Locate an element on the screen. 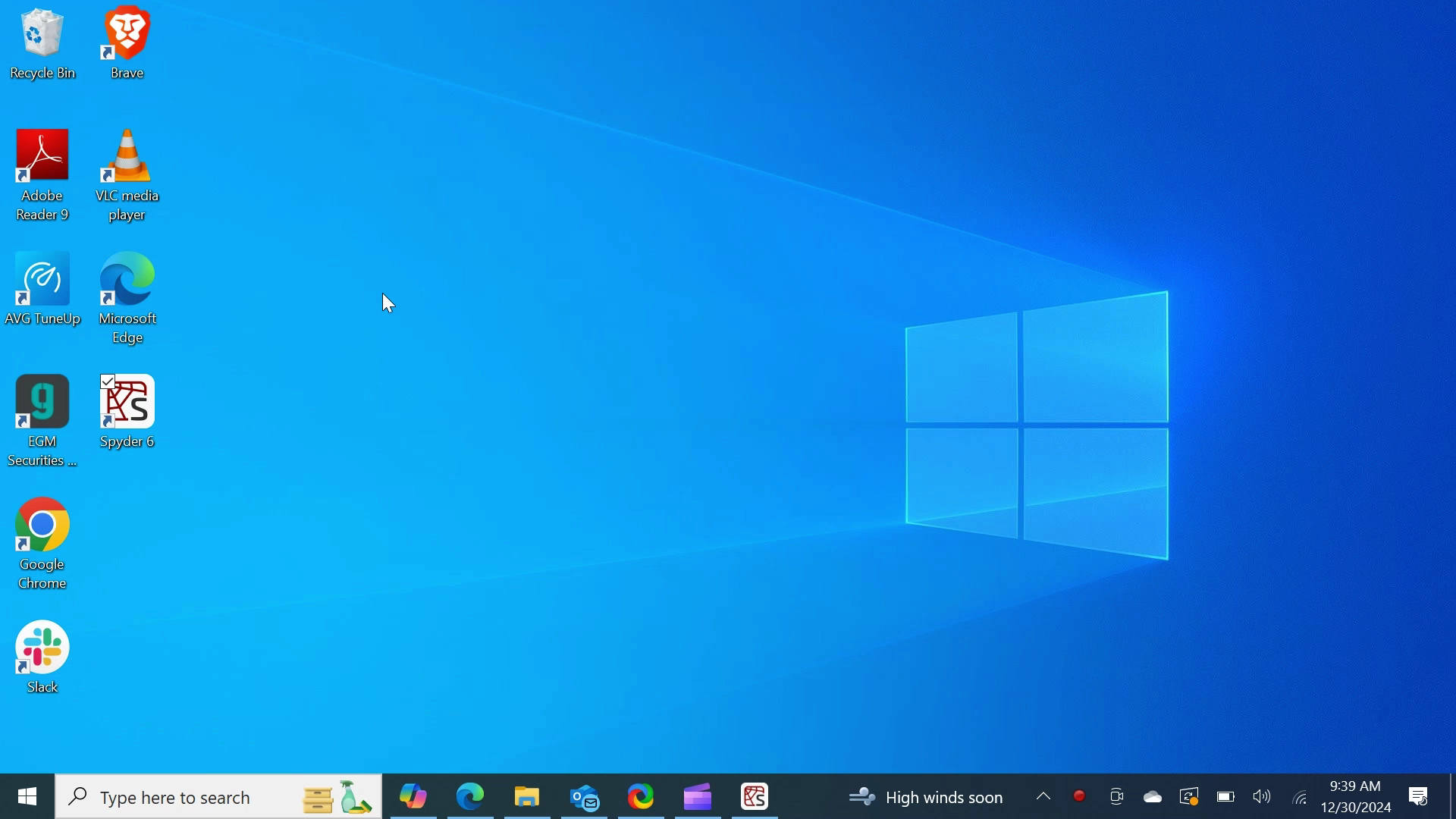  File Explorer is located at coordinates (526, 795).